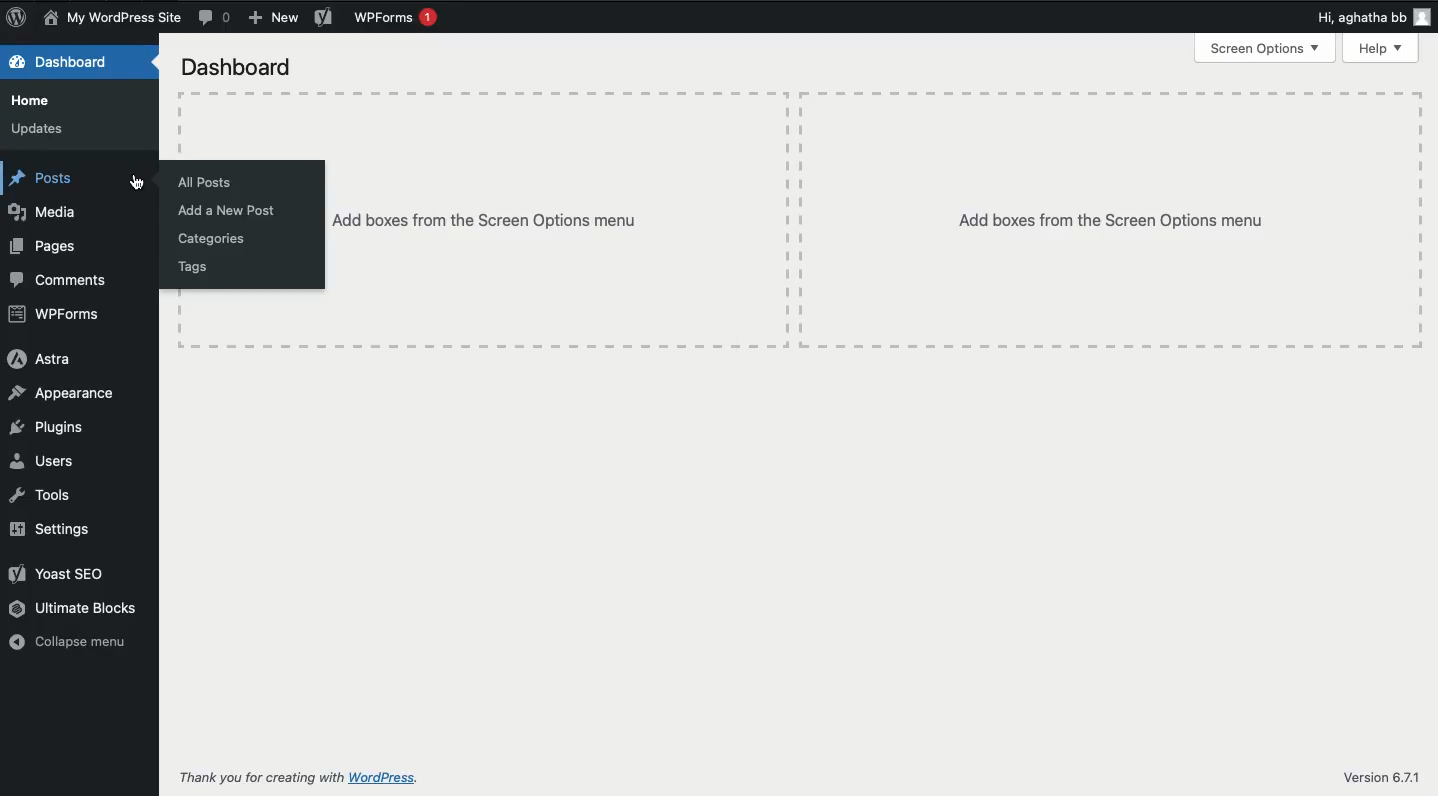 Image resolution: width=1438 pixels, height=796 pixels. I want to click on Astra , so click(44, 360).